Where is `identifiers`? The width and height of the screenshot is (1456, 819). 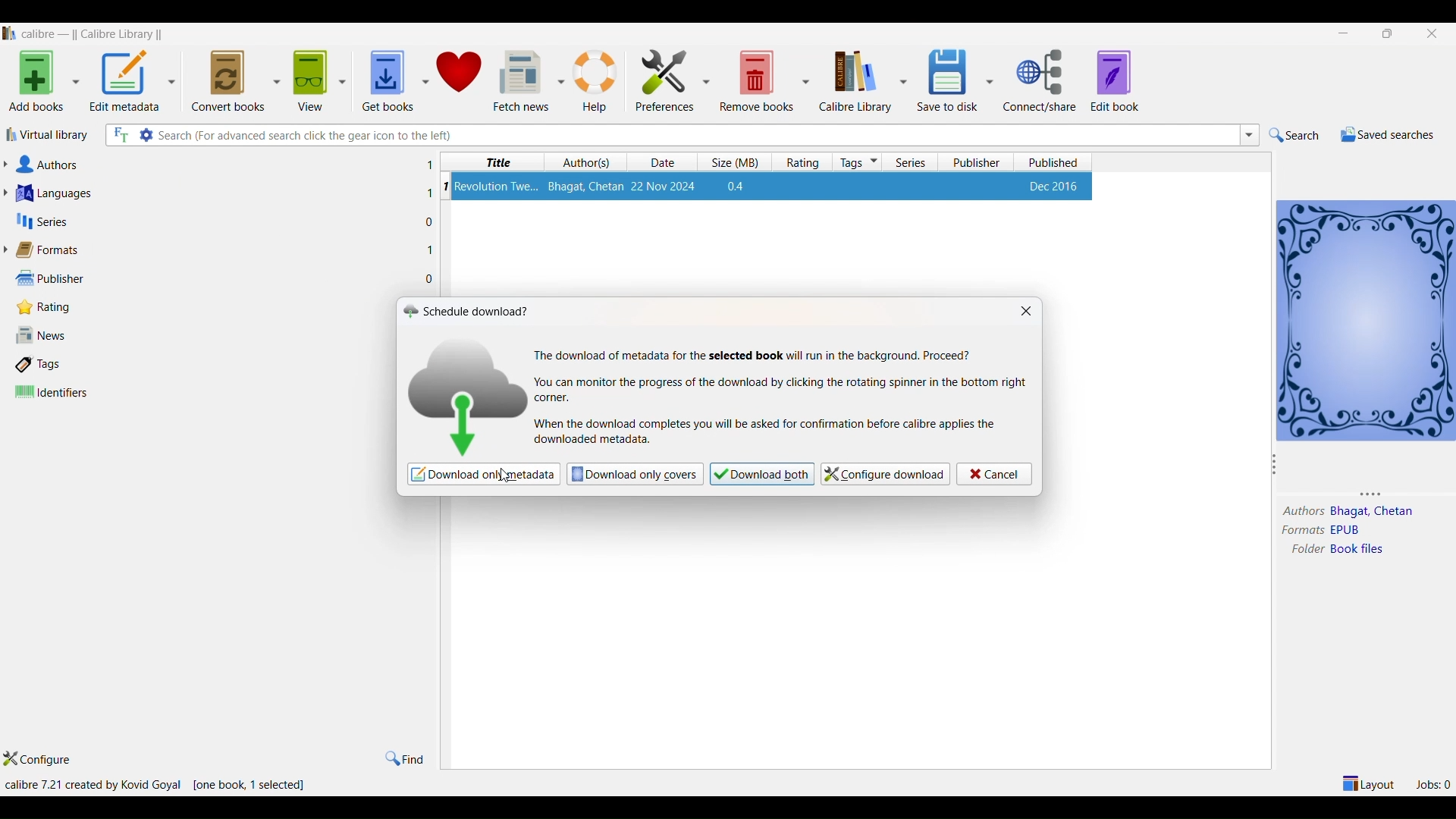
identifiers is located at coordinates (53, 393).